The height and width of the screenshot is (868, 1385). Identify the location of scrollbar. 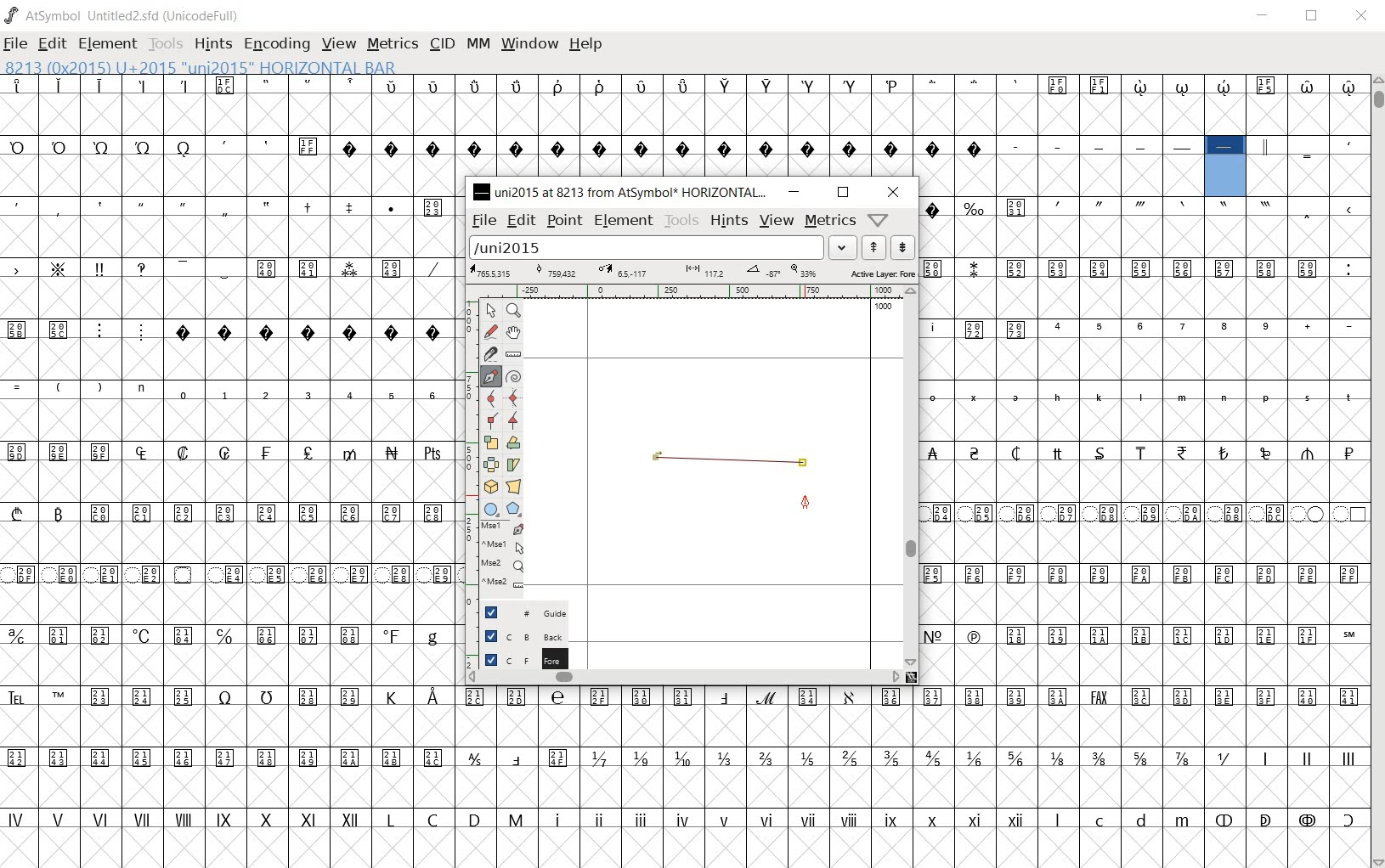
(683, 679).